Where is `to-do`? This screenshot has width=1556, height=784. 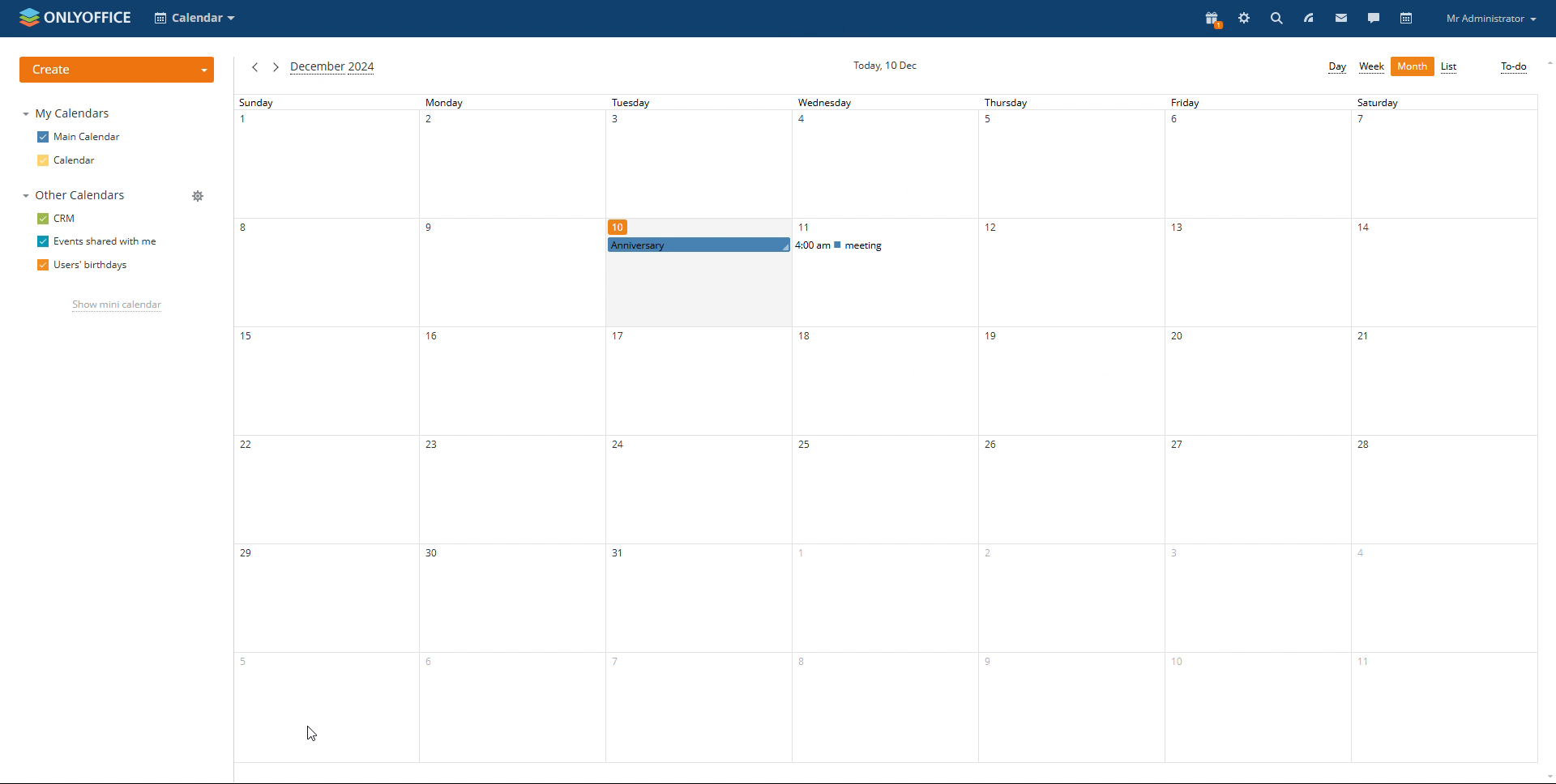
to-do is located at coordinates (1515, 68).